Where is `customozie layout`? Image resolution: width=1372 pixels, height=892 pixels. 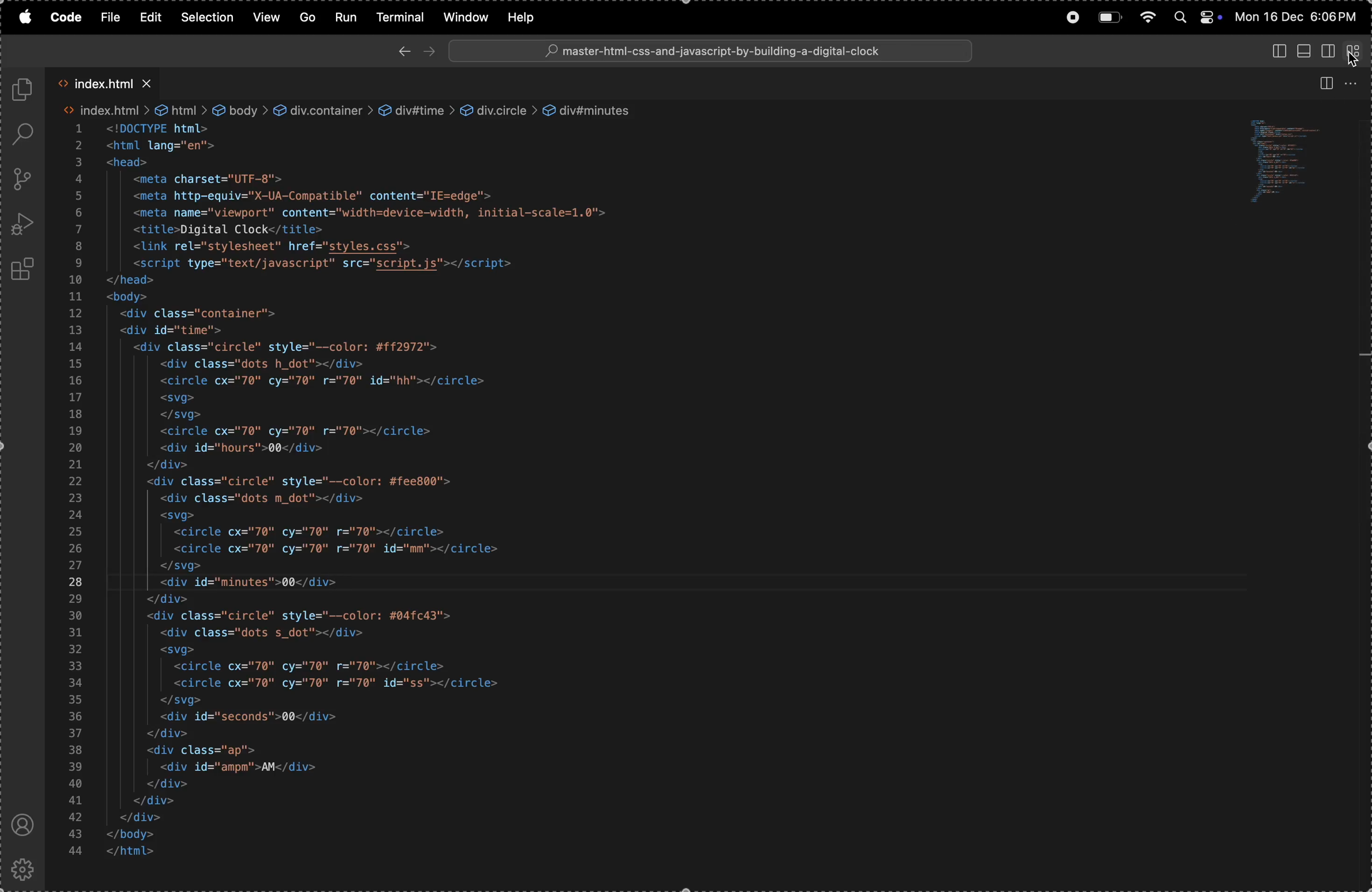
customozie layout is located at coordinates (1354, 50).